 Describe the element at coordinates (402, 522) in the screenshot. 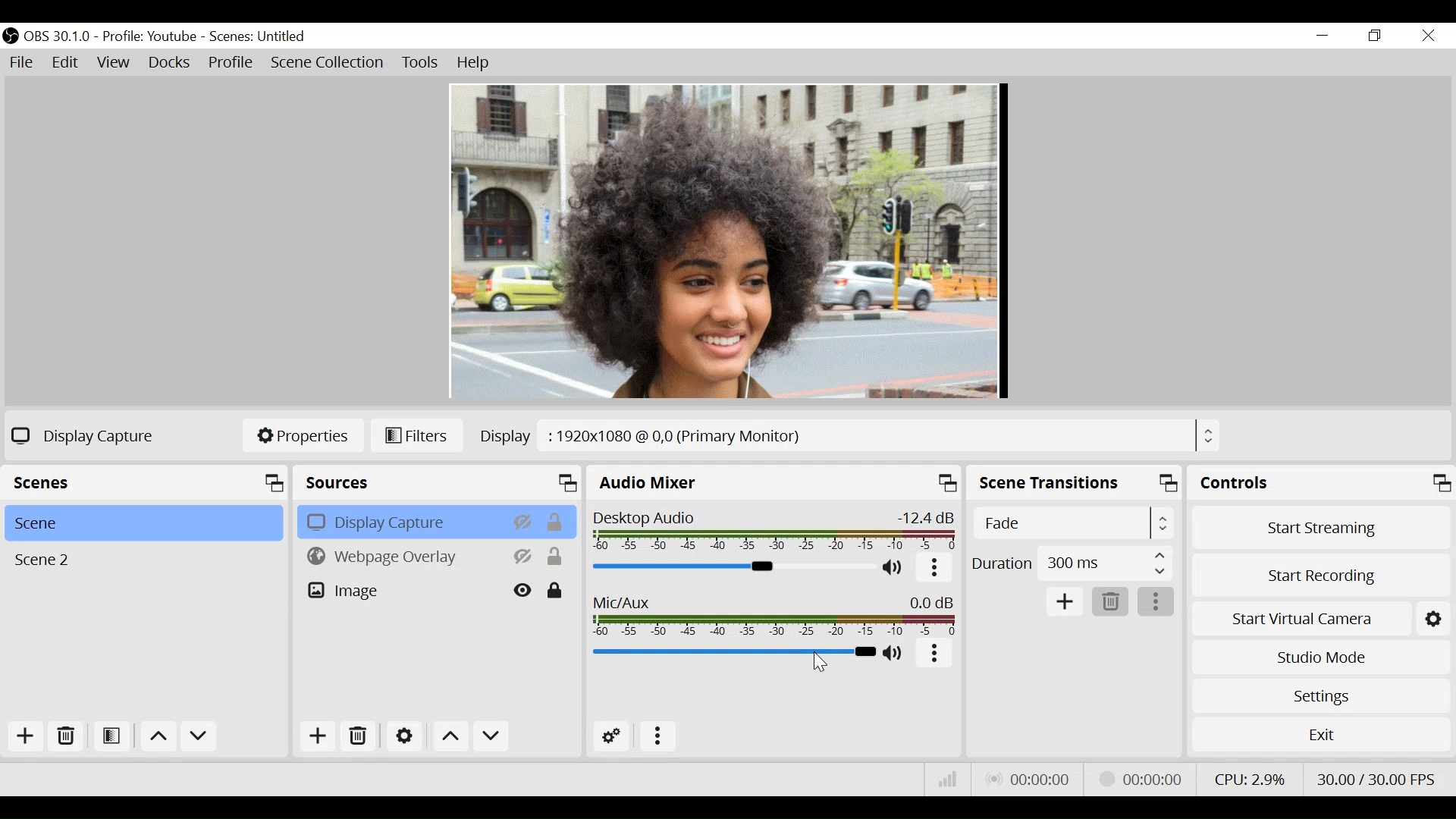

I see `Display Capture Source` at that location.